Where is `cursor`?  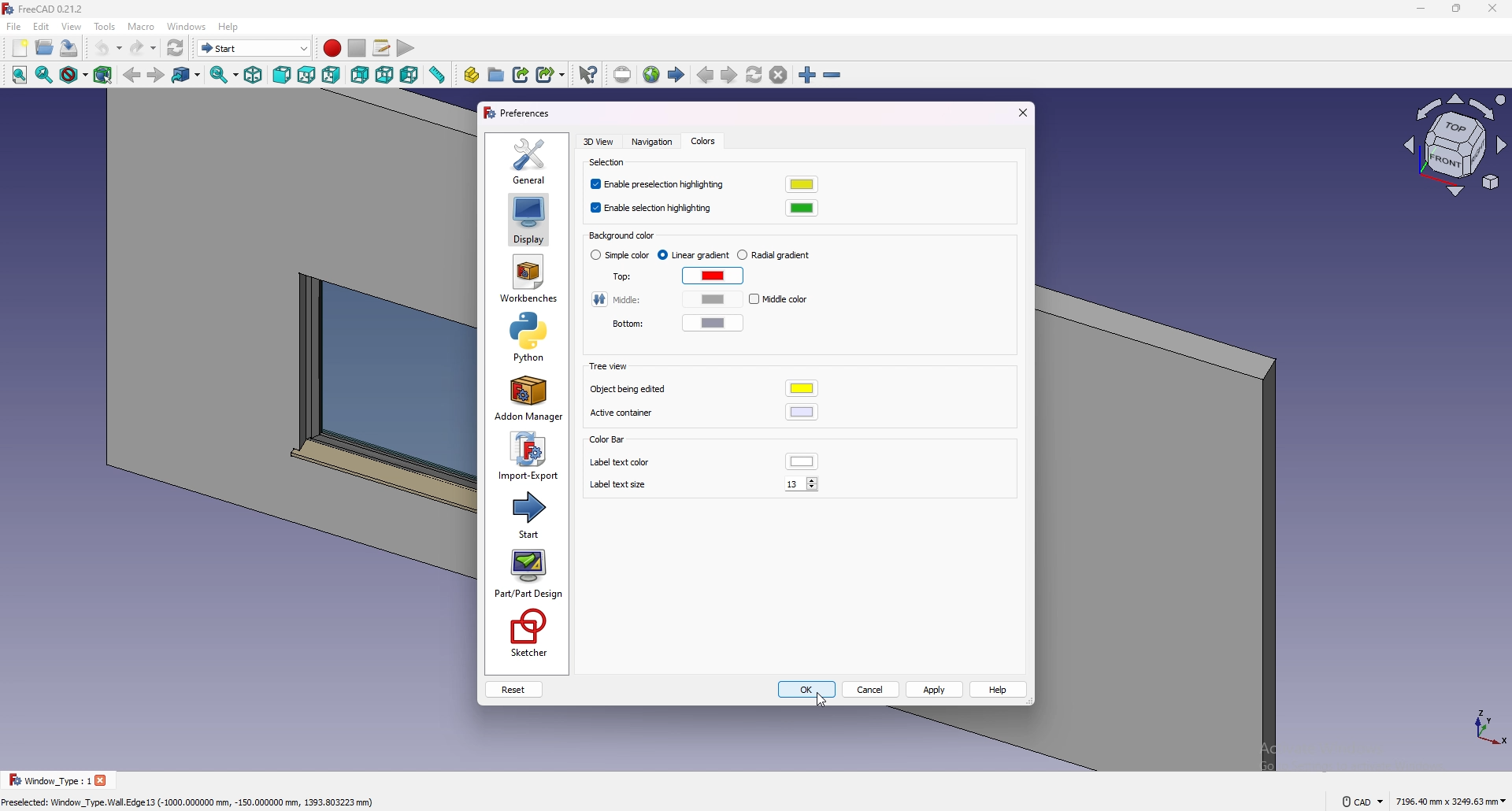 cursor is located at coordinates (821, 698).